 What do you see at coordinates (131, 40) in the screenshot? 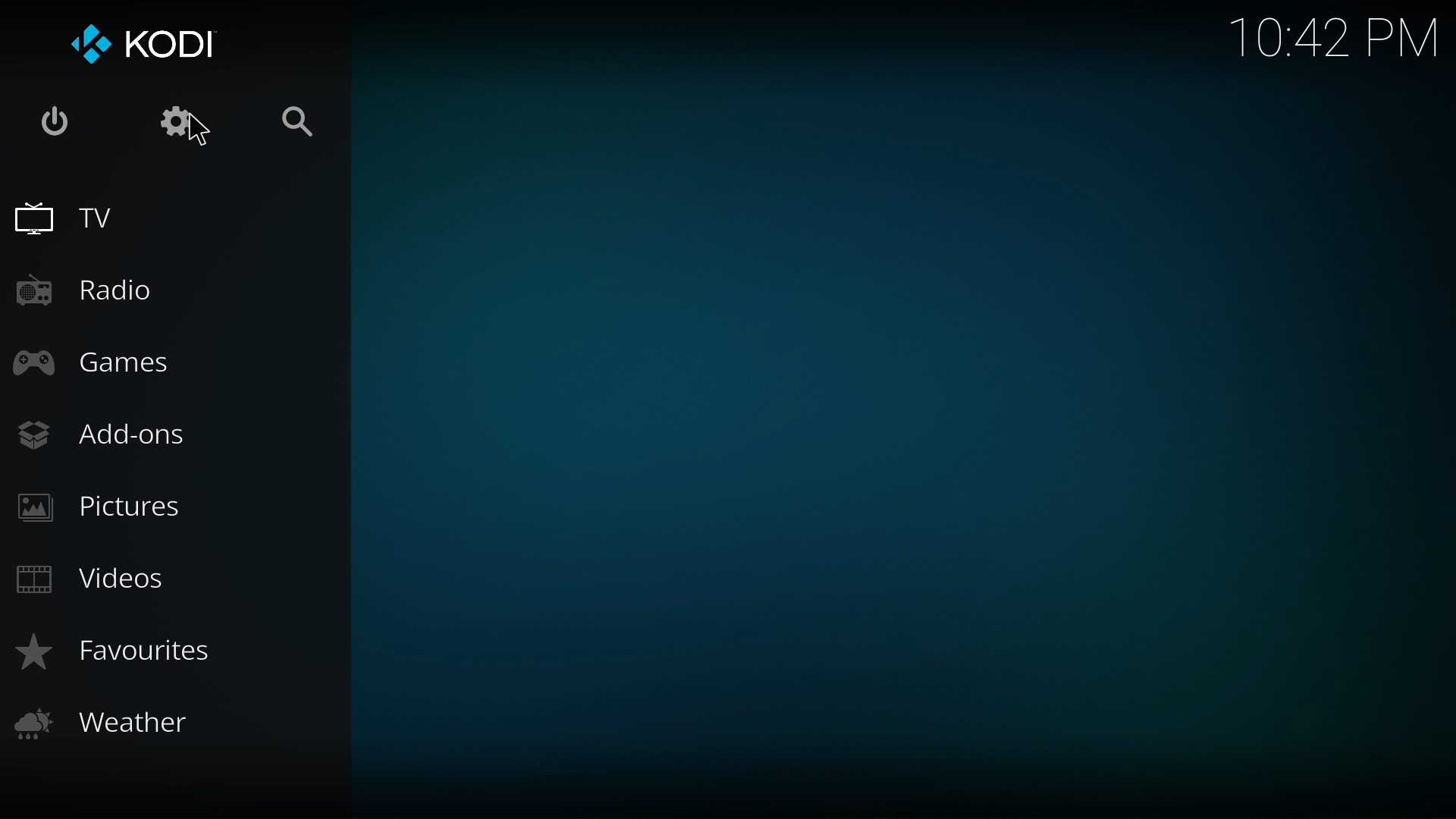
I see `kodi` at bounding box center [131, 40].